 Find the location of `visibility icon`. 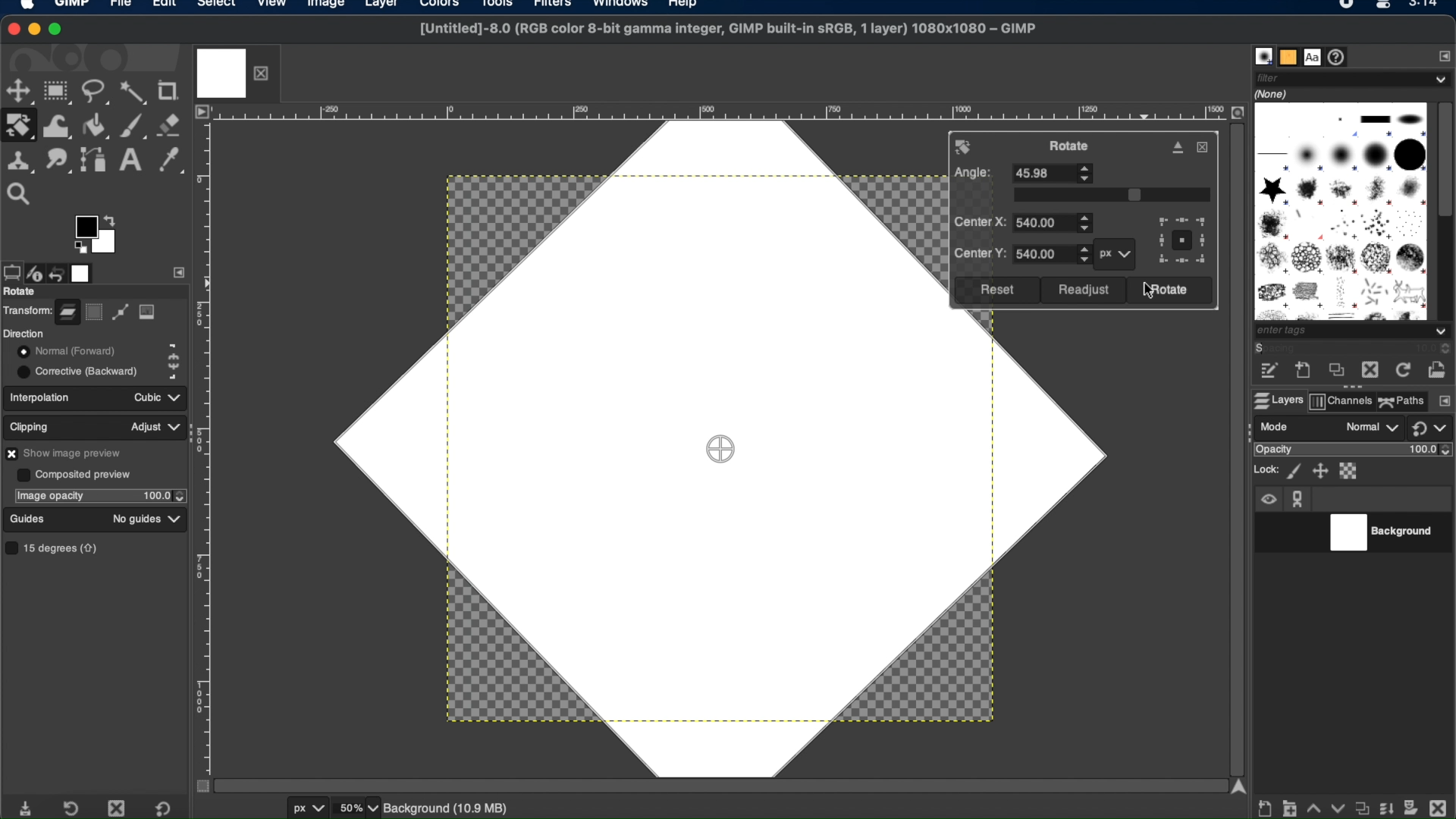

visibility icon is located at coordinates (1268, 500).